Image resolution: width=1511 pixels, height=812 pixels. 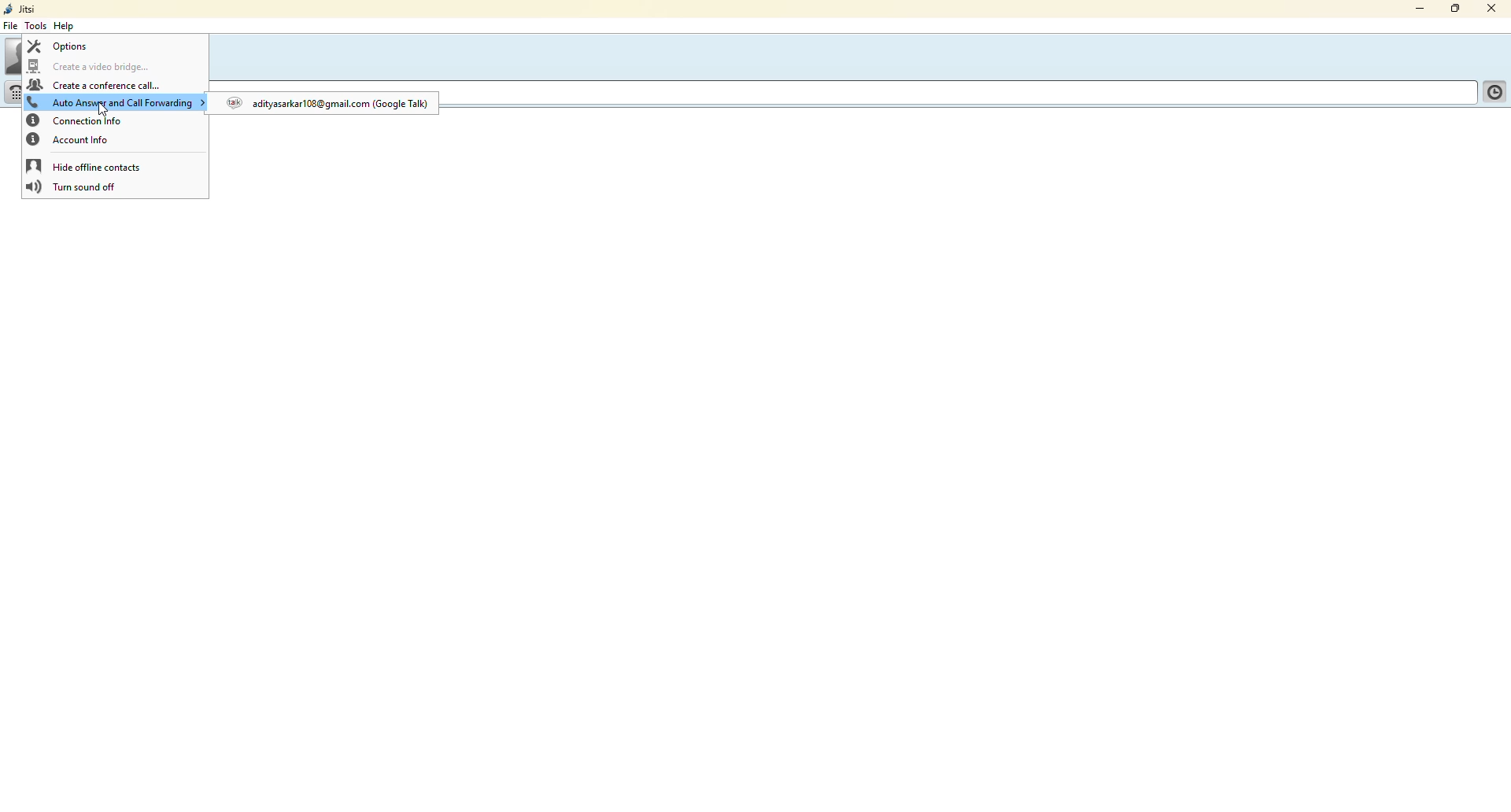 What do you see at coordinates (1417, 9) in the screenshot?
I see `minimize` at bounding box center [1417, 9].